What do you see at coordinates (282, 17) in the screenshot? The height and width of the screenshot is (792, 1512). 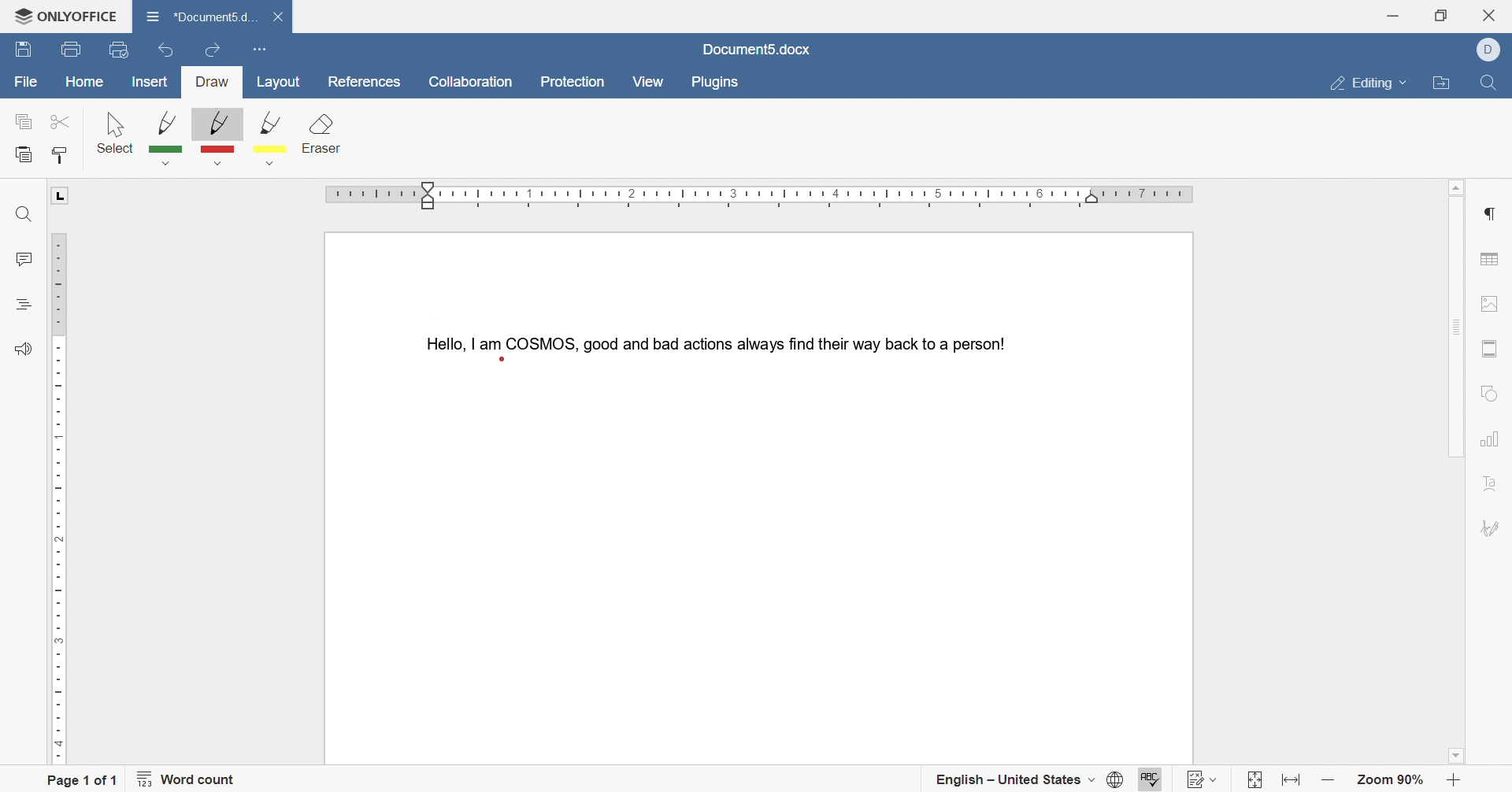 I see `close` at bounding box center [282, 17].